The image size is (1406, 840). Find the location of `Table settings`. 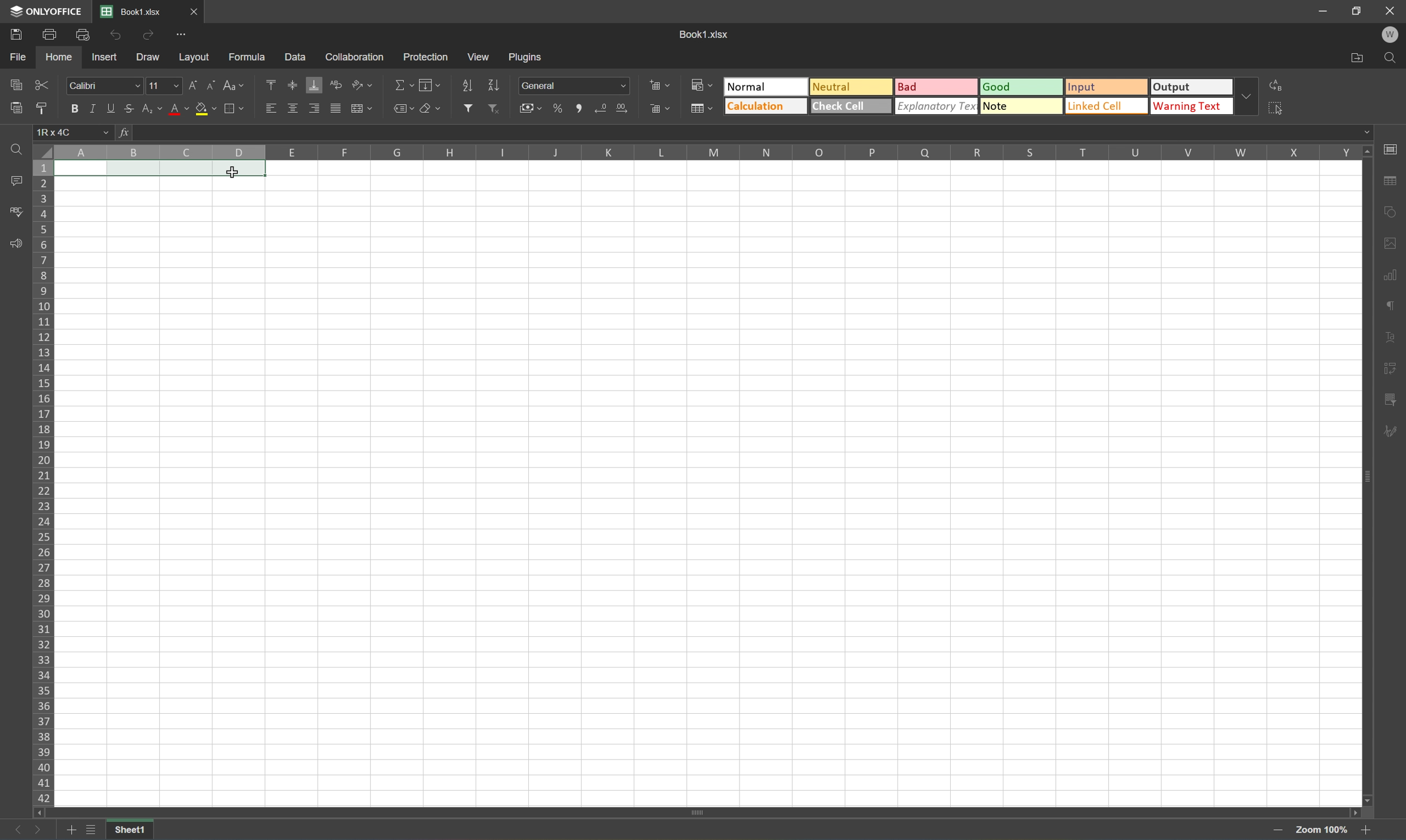

Table settings is located at coordinates (1390, 183).